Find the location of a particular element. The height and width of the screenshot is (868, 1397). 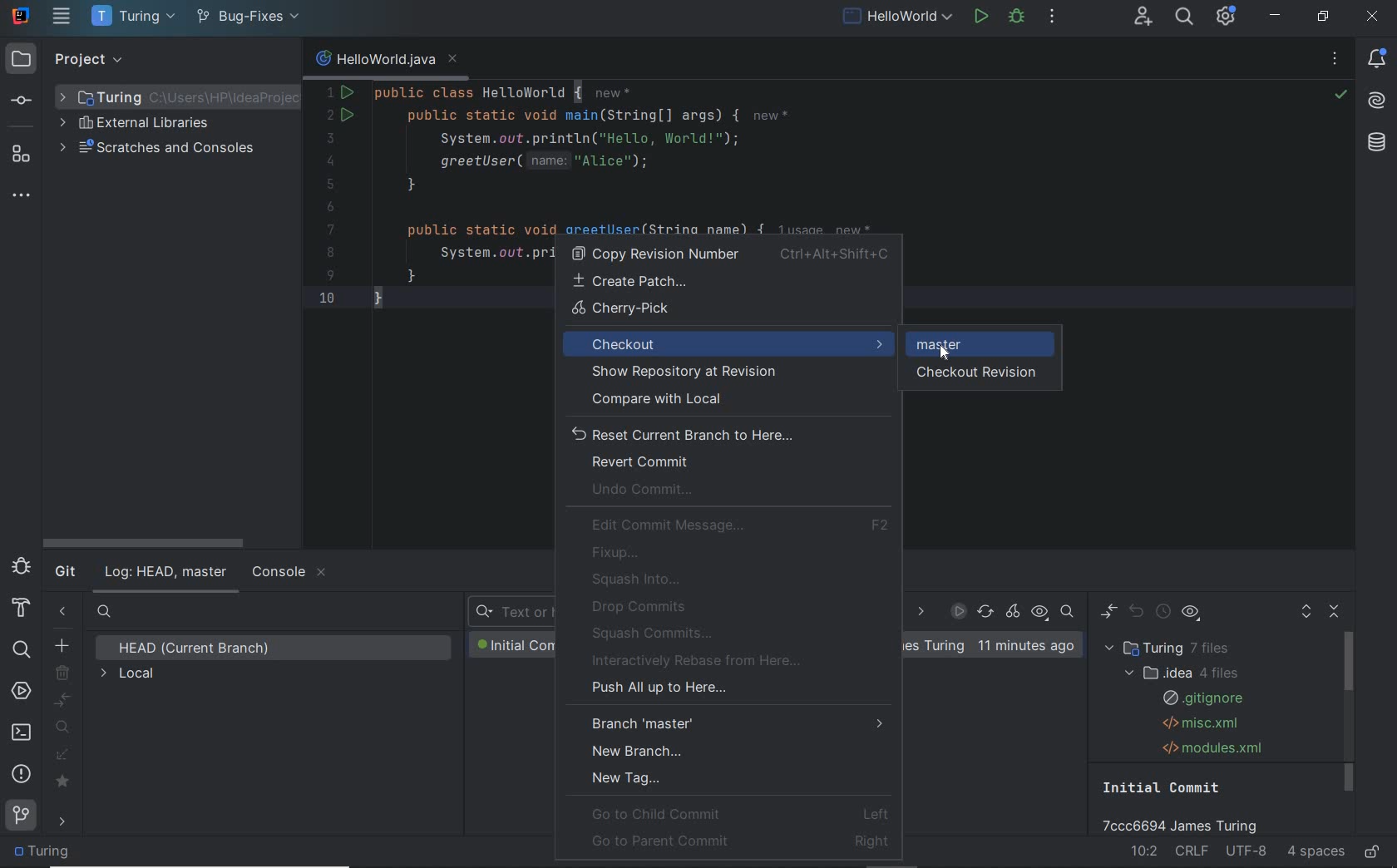

checkout revision is located at coordinates (985, 374).